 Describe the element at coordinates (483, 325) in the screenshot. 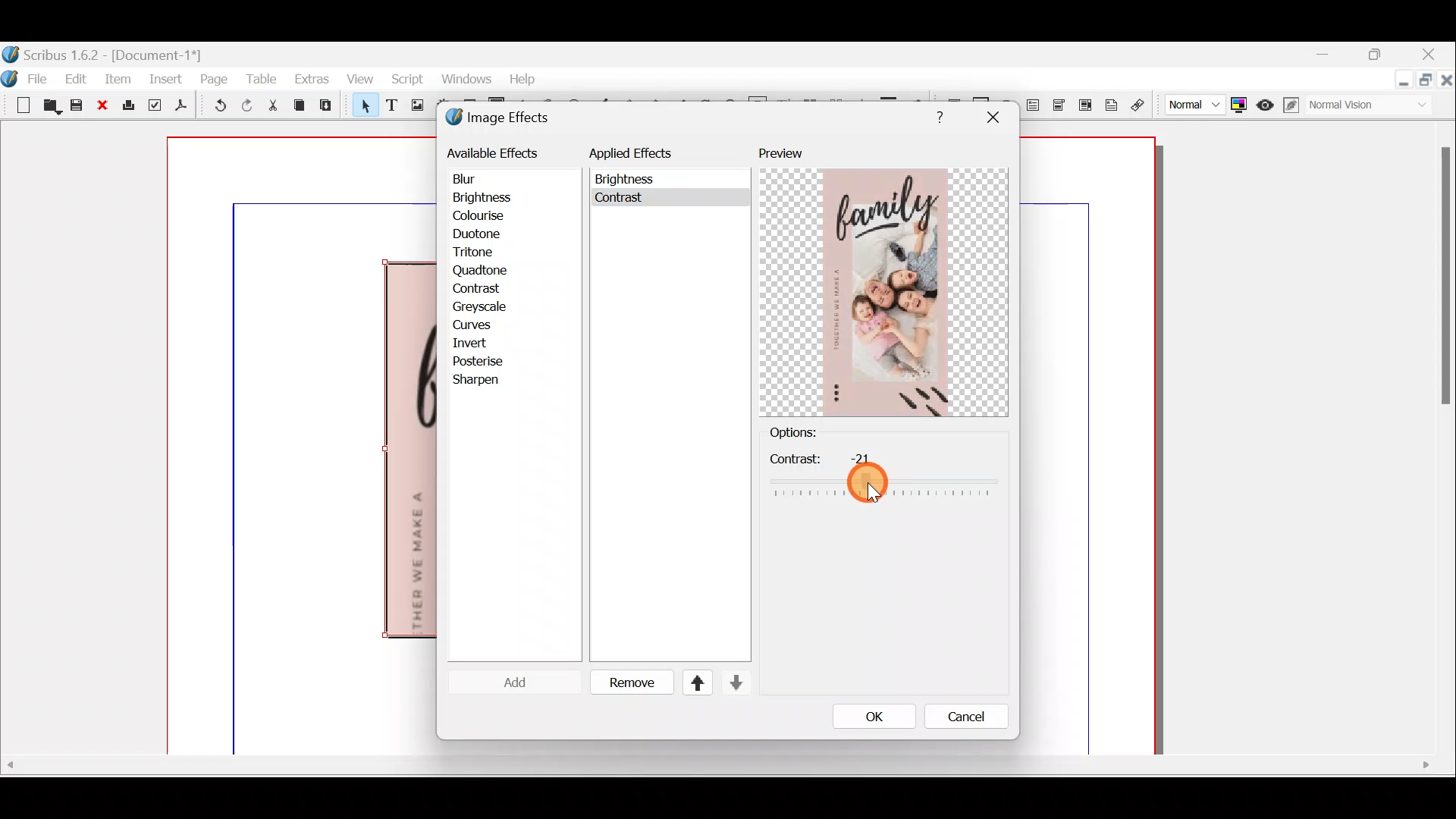

I see `Curves` at that location.